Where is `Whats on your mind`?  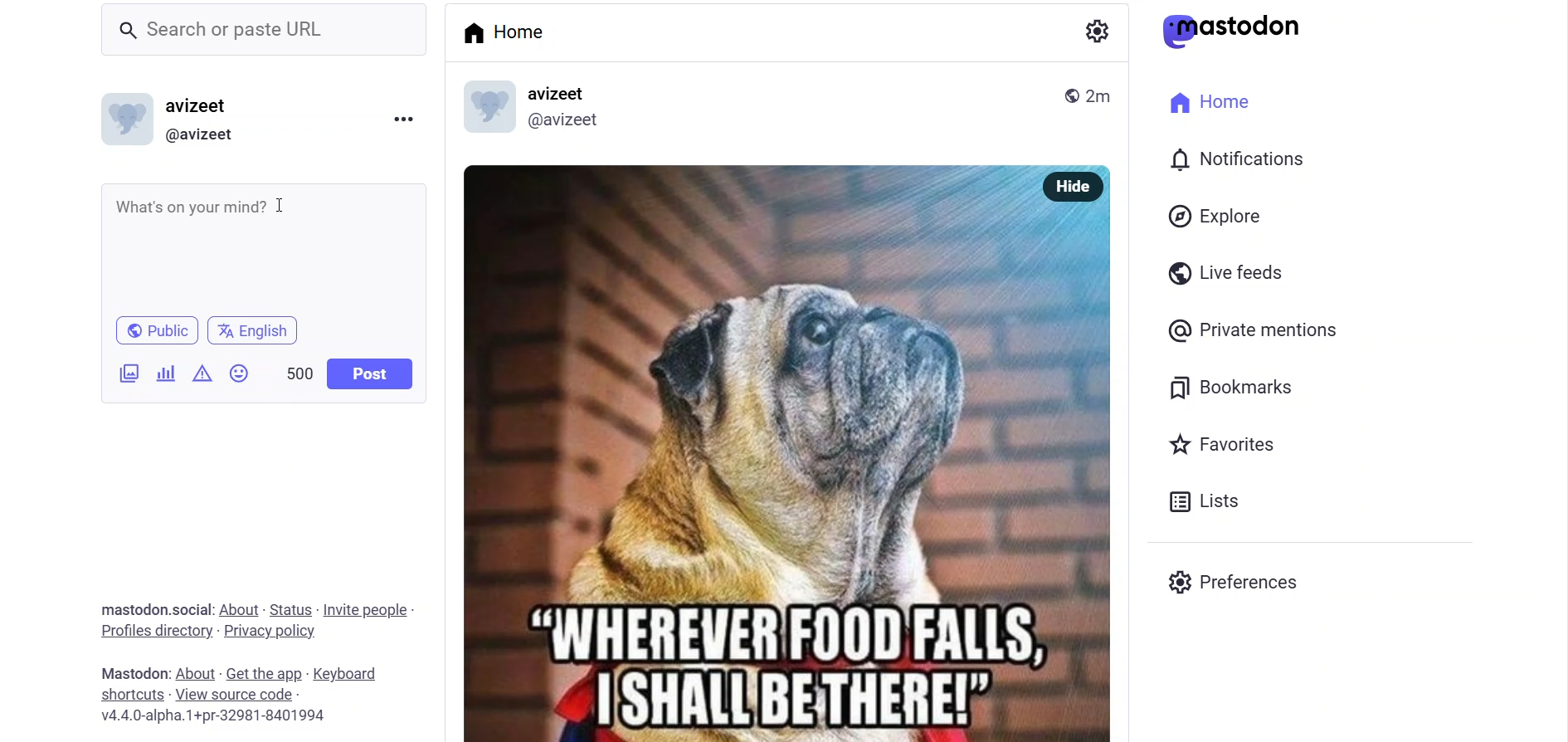
Whats on your mind is located at coordinates (265, 242).